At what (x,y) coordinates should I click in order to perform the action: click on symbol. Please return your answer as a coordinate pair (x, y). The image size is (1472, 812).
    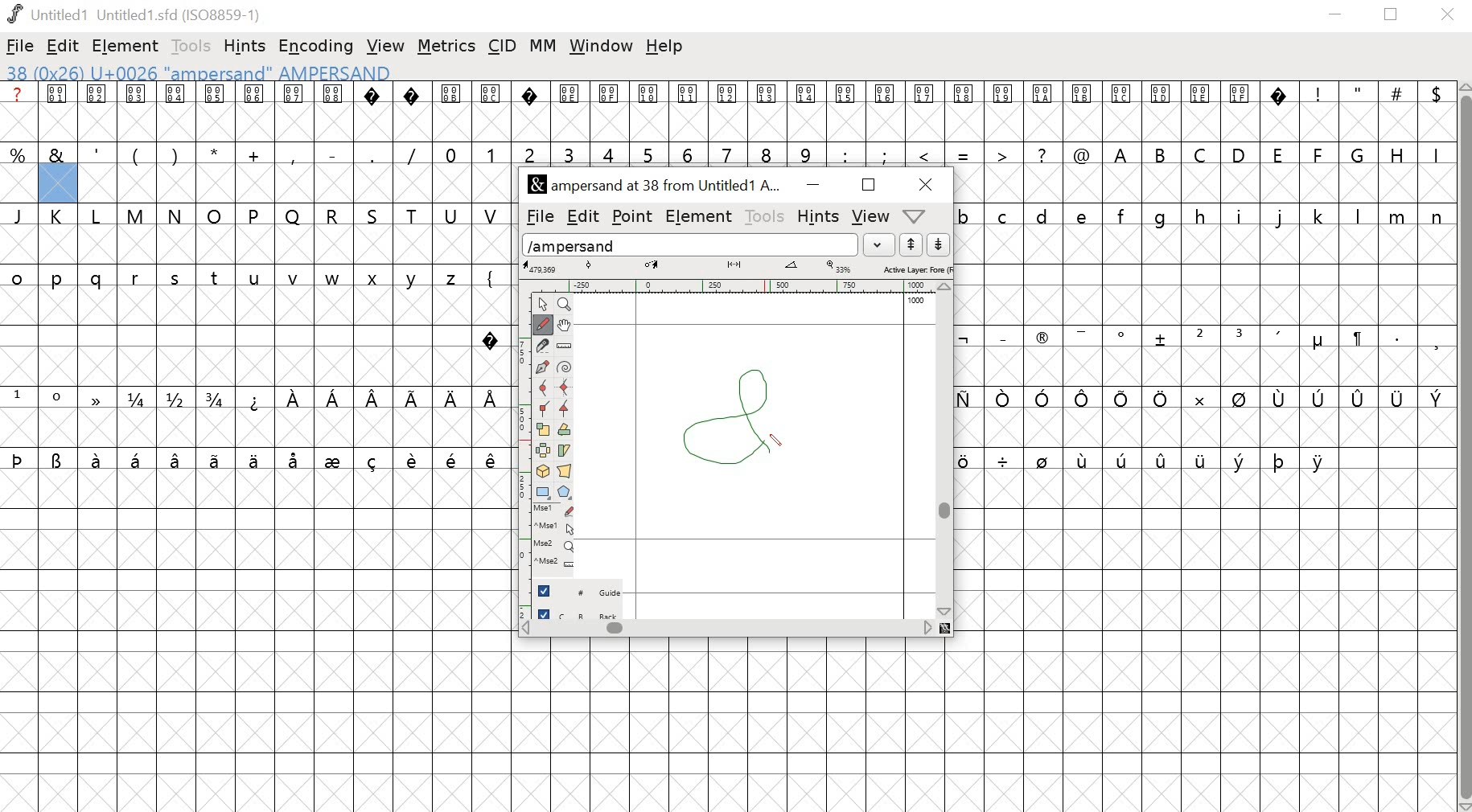
    Looking at the image, I should click on (1356, 338).